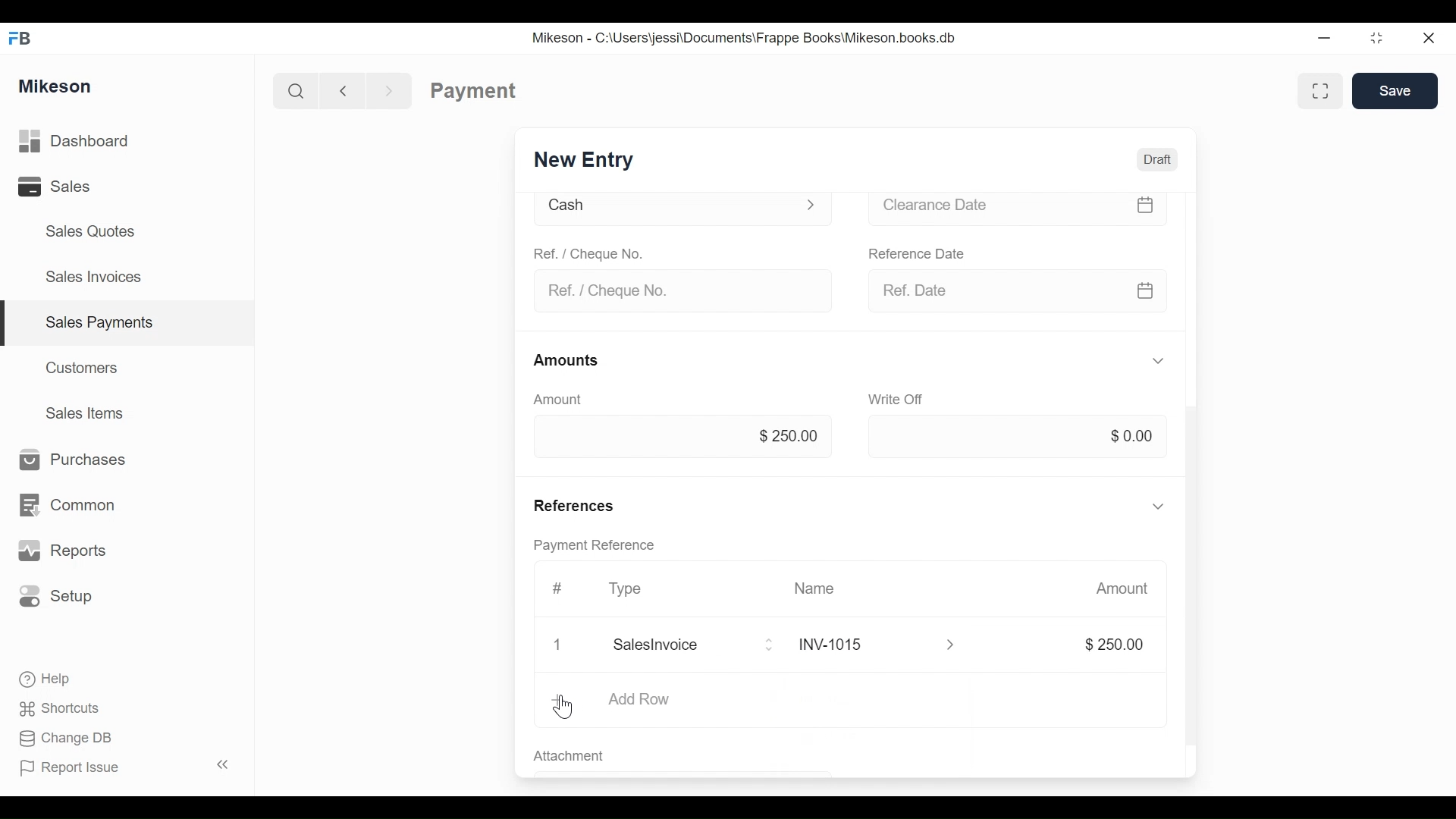  What do you see at coordinates (626, 588) in the screenshot?
I see `Type` at bounding box center [626, 588].